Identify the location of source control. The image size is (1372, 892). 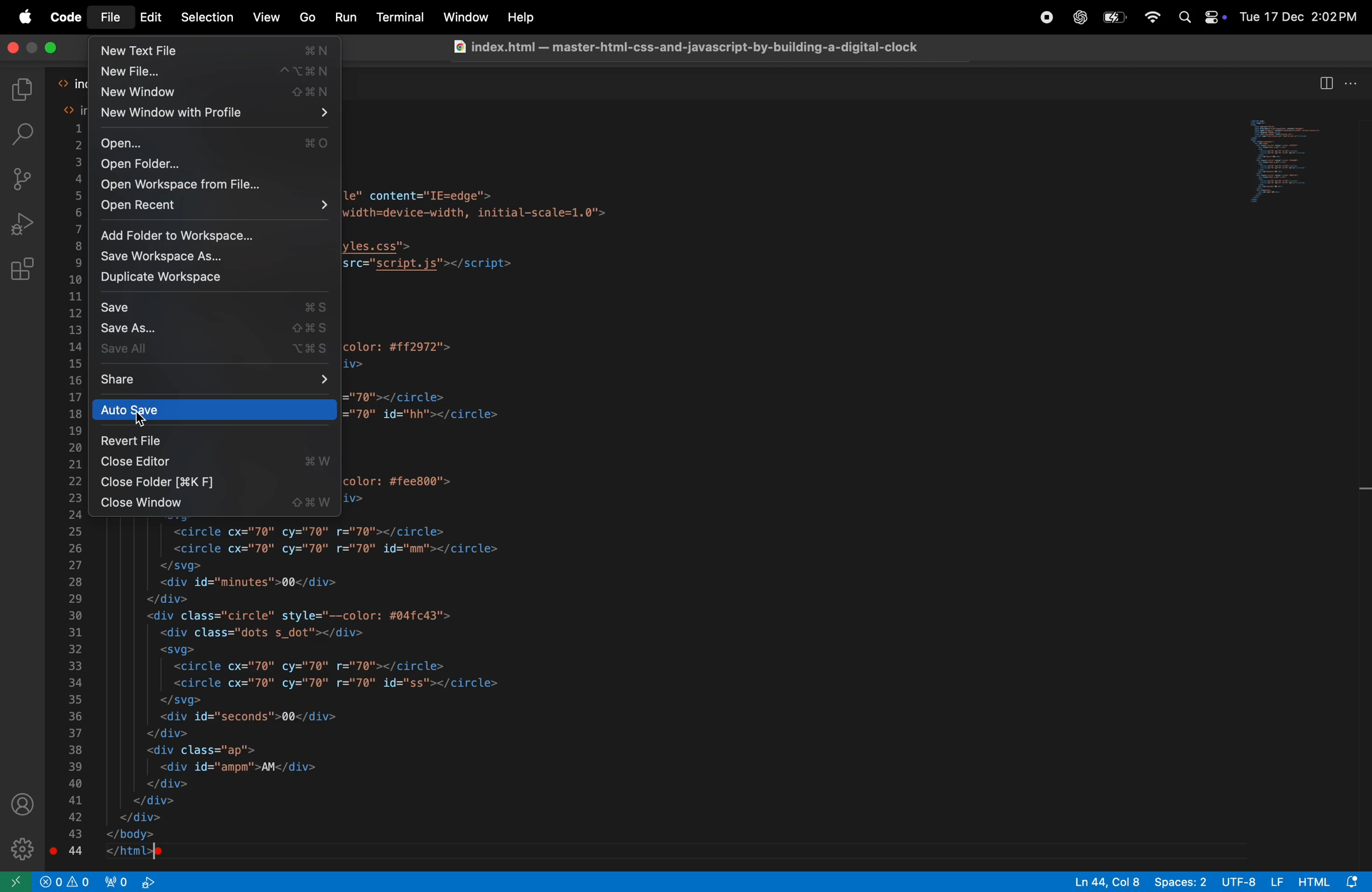
(24, 179).